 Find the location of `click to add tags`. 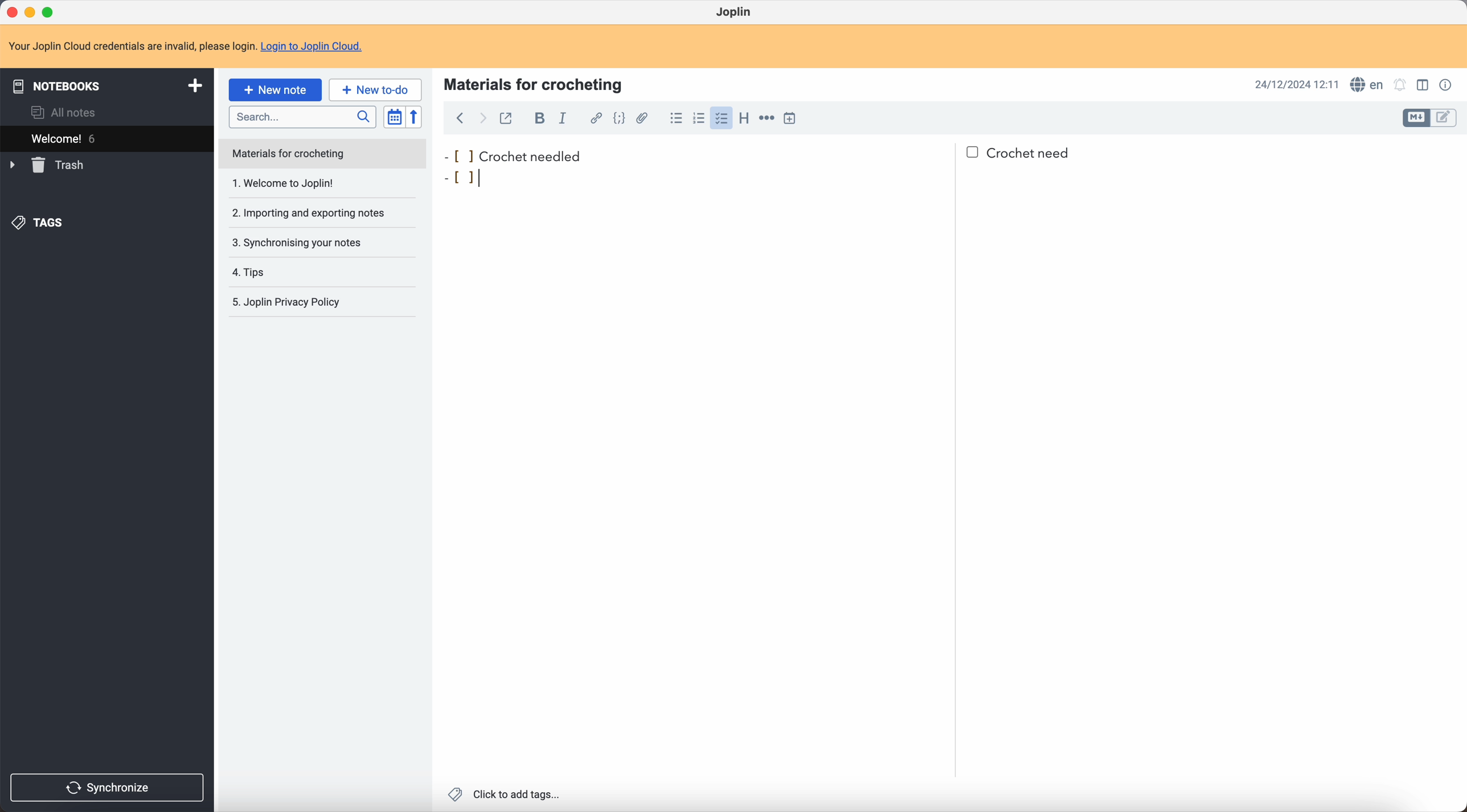

click to add tags is located at coordinates (506, 795).